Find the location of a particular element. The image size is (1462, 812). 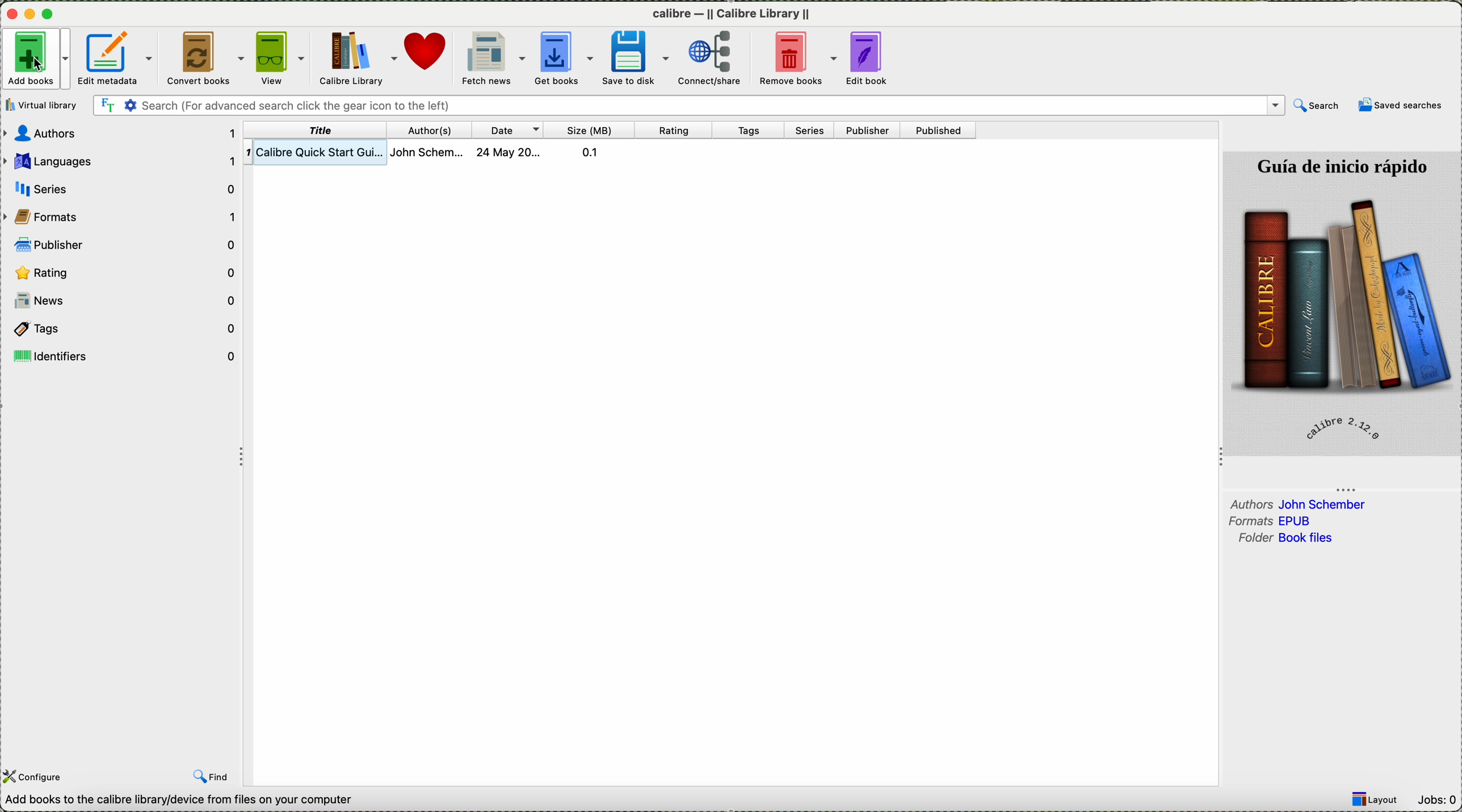

minimize program is located at coordinates (32, 15).